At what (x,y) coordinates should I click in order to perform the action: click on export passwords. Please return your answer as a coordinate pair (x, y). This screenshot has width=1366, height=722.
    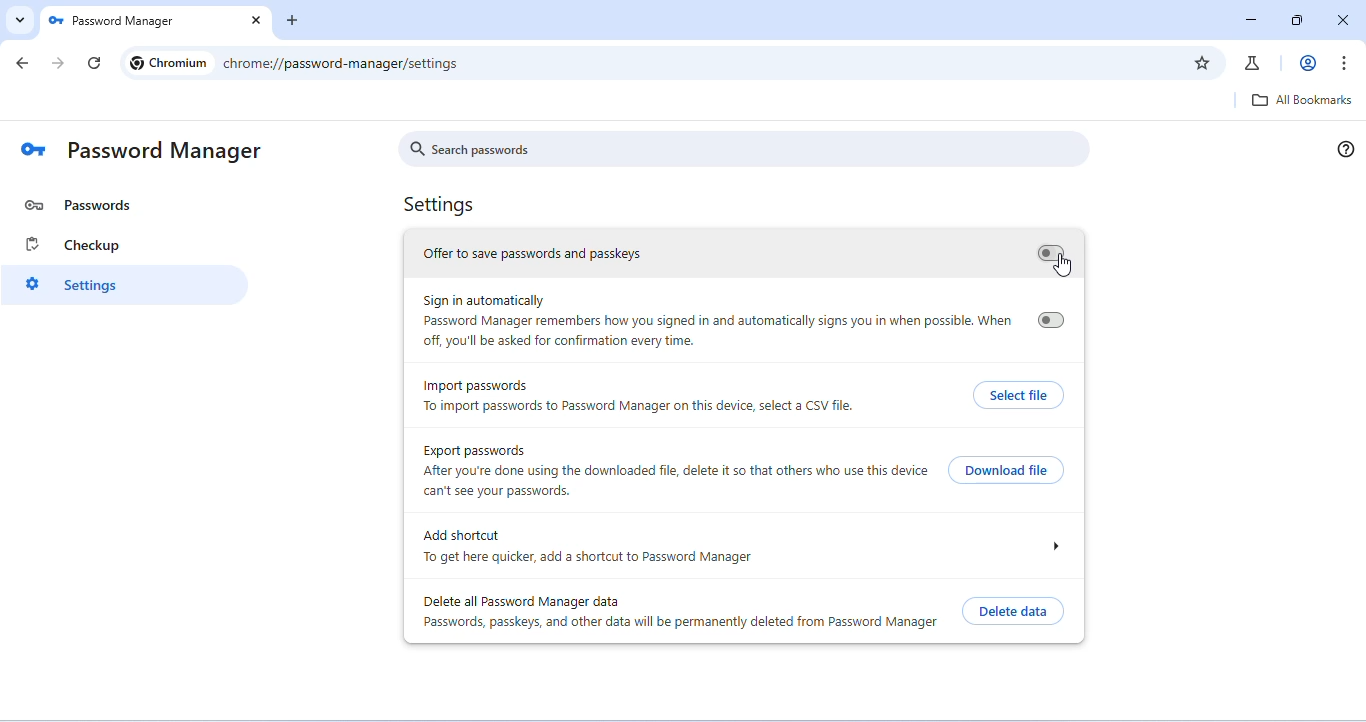
    Looking at the image, I should click on (475, 450).